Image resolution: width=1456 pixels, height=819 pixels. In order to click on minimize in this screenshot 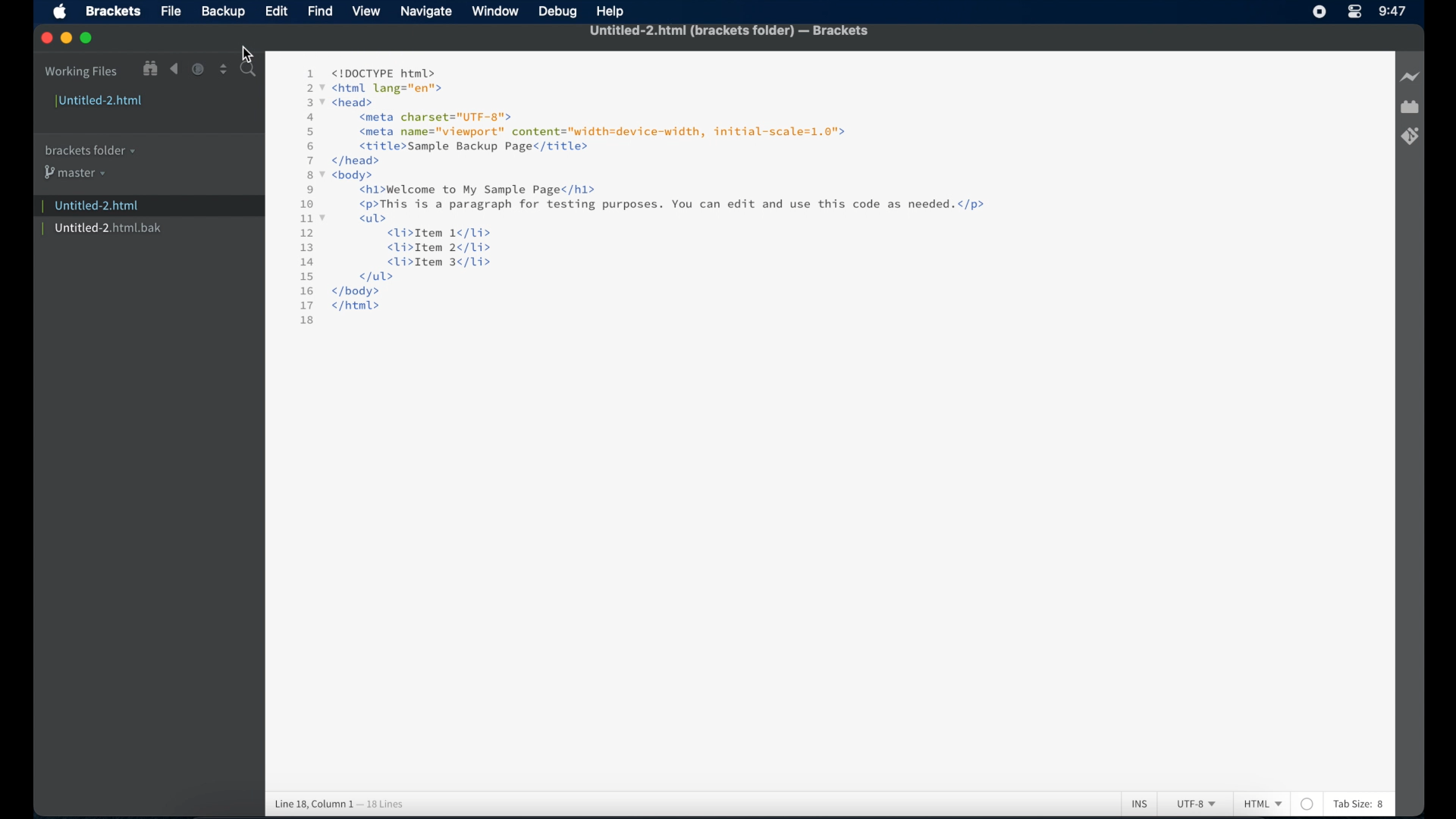, I will do `click(66, 39)`.